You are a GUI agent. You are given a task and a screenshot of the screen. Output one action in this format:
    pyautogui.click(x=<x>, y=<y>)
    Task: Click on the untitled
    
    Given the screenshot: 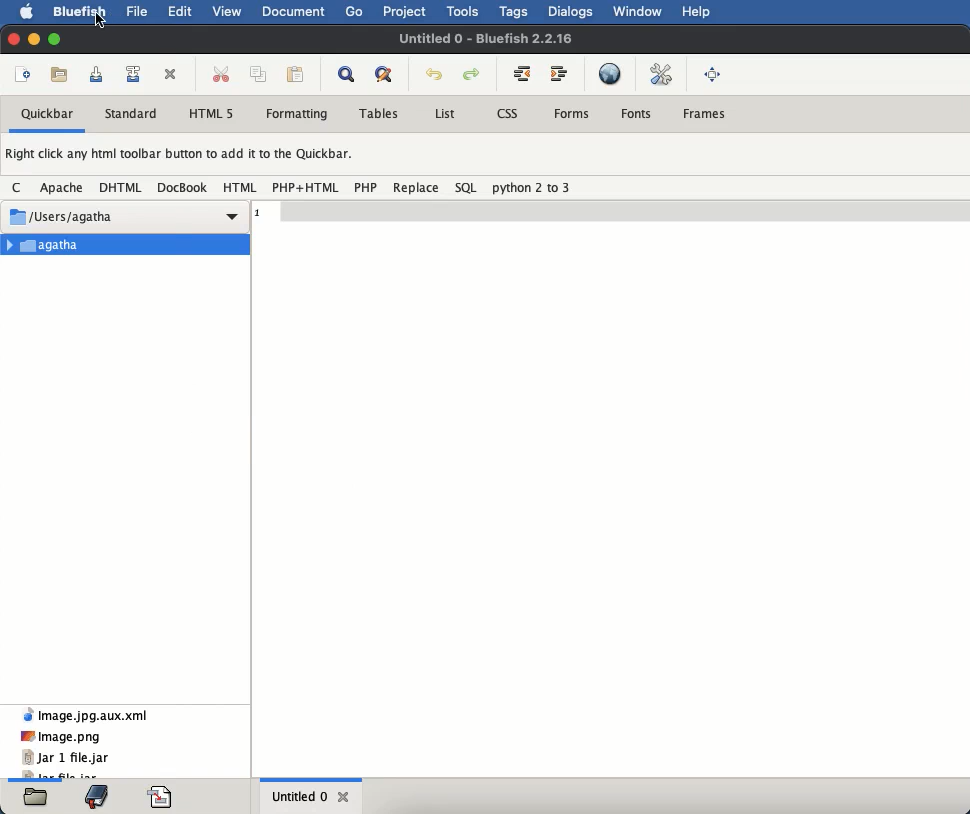 What is the action you would take?
    pyautogui.click(x=299, y=795)
    